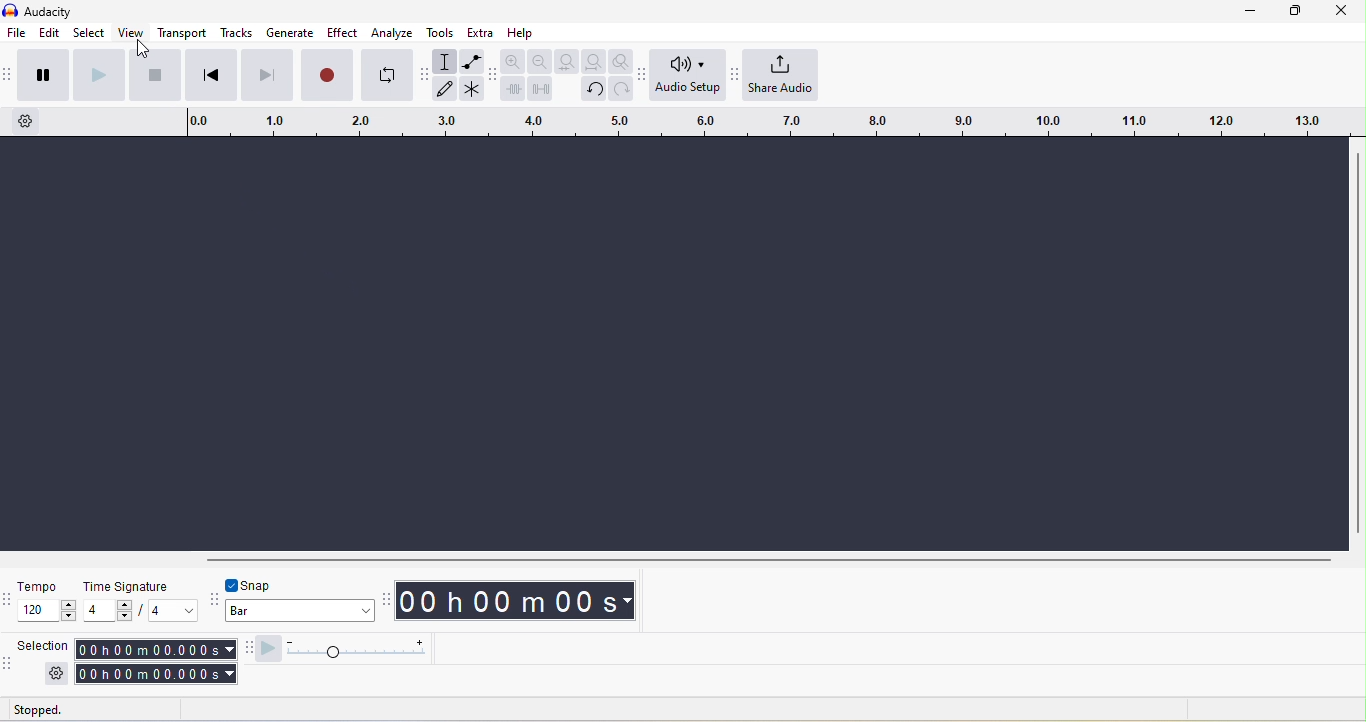  What do you see at coordinates (131, 32) in the screenshot?
I see `view` at bounding box center [131, 32].